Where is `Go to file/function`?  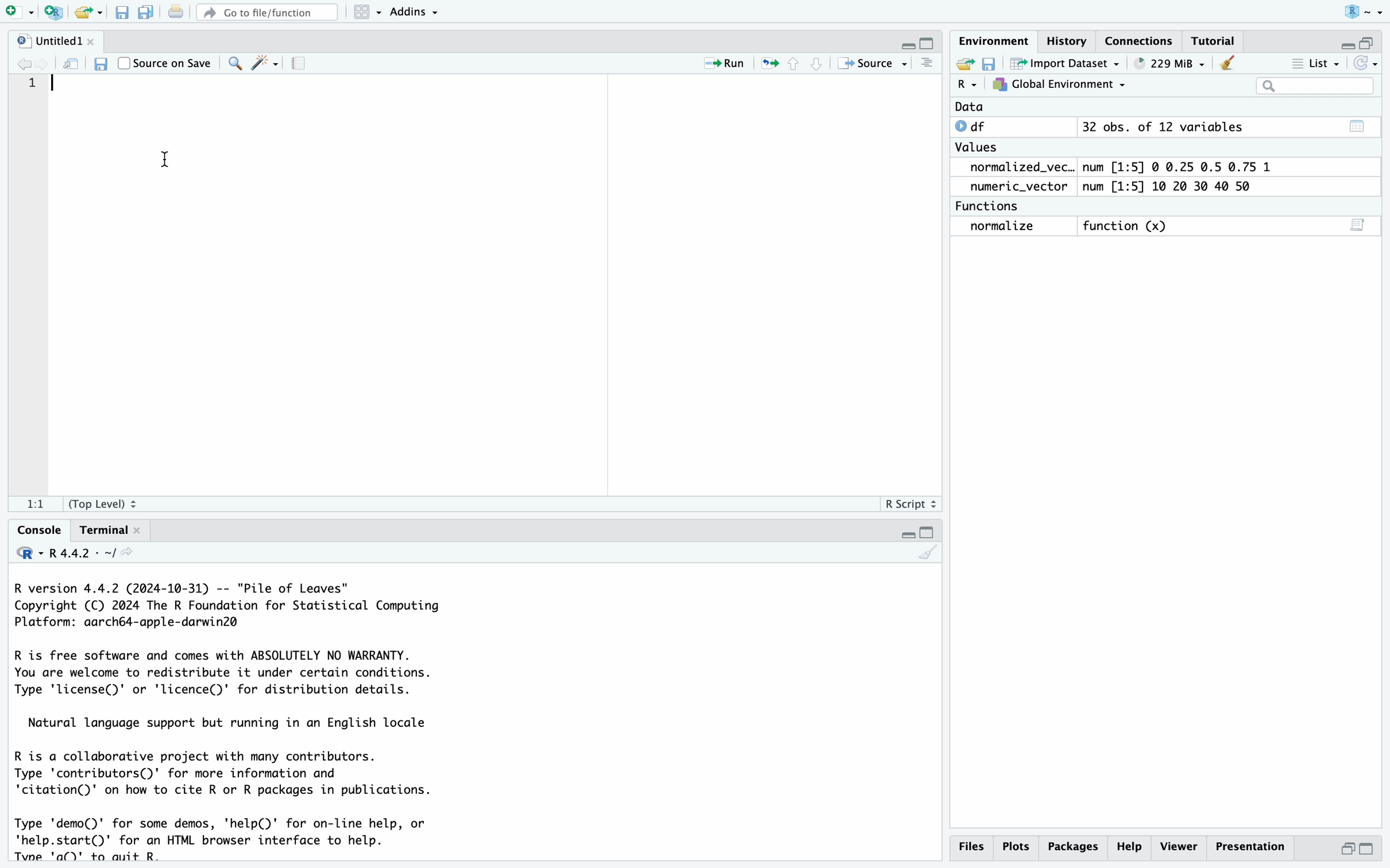
Go to file/function is located at coordinates (267, 13).